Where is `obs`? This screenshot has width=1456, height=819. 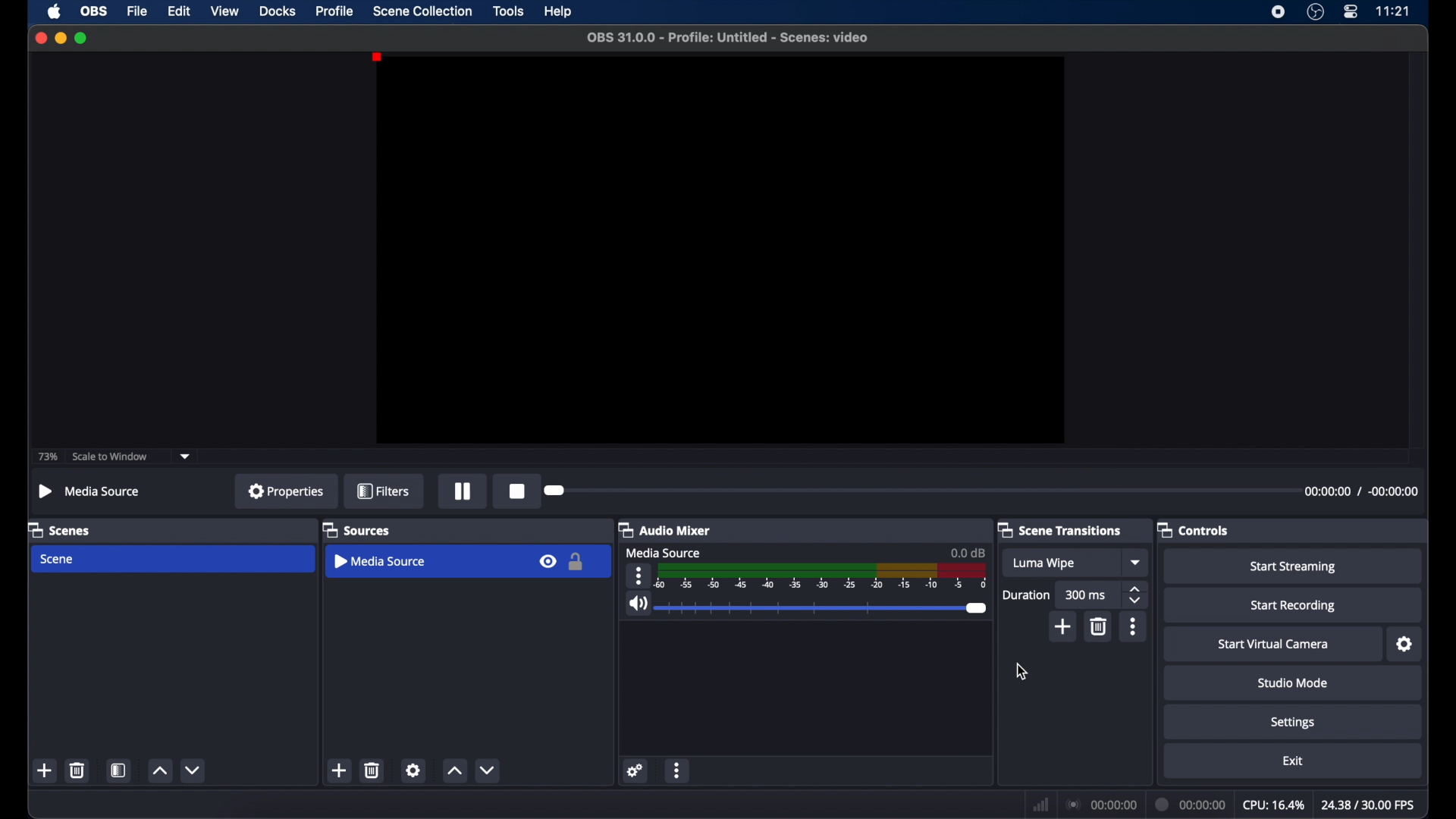
obs is located at coordinates (96, 11).